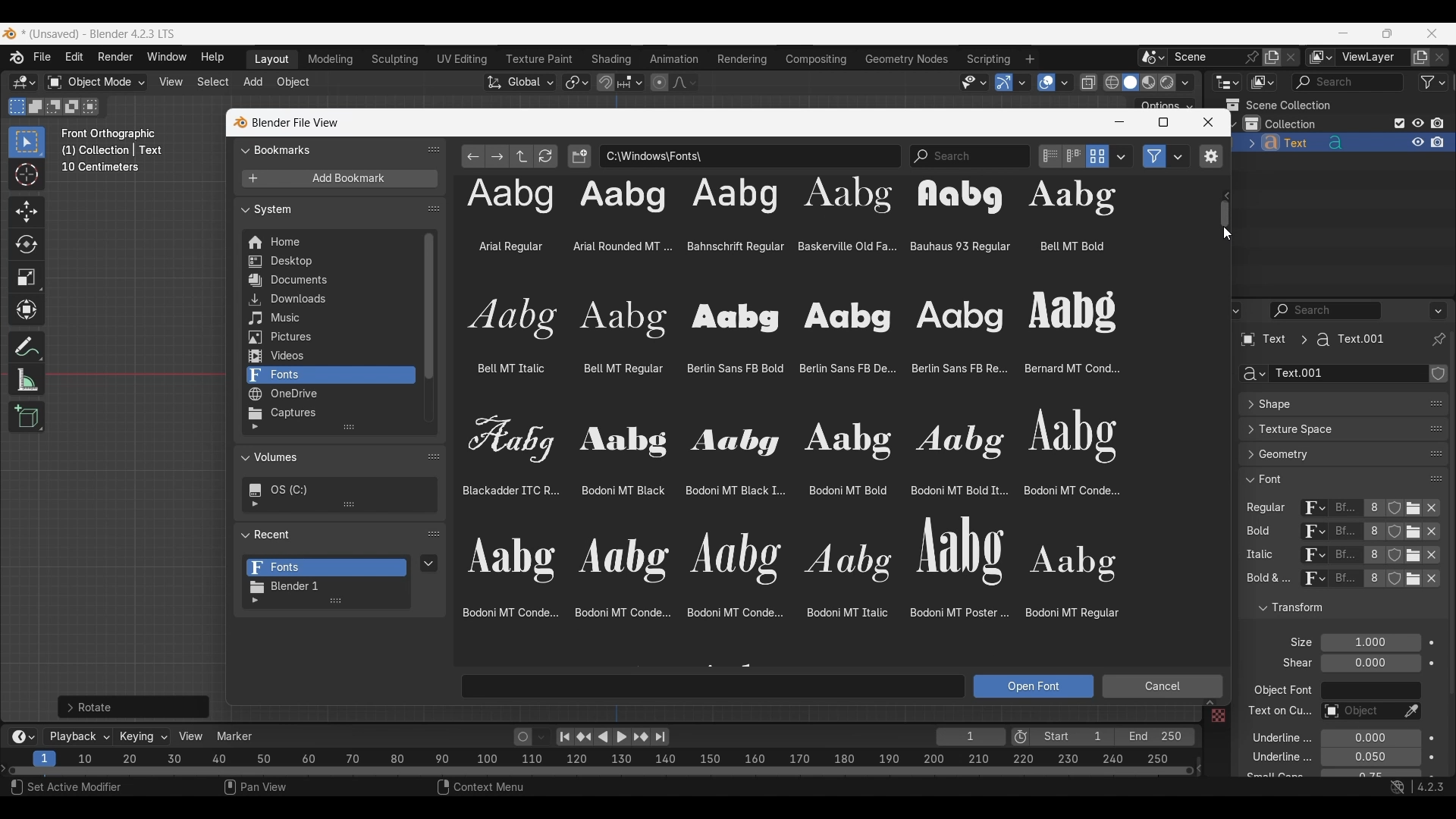  I want to click on Home folder, so click(329, 242).